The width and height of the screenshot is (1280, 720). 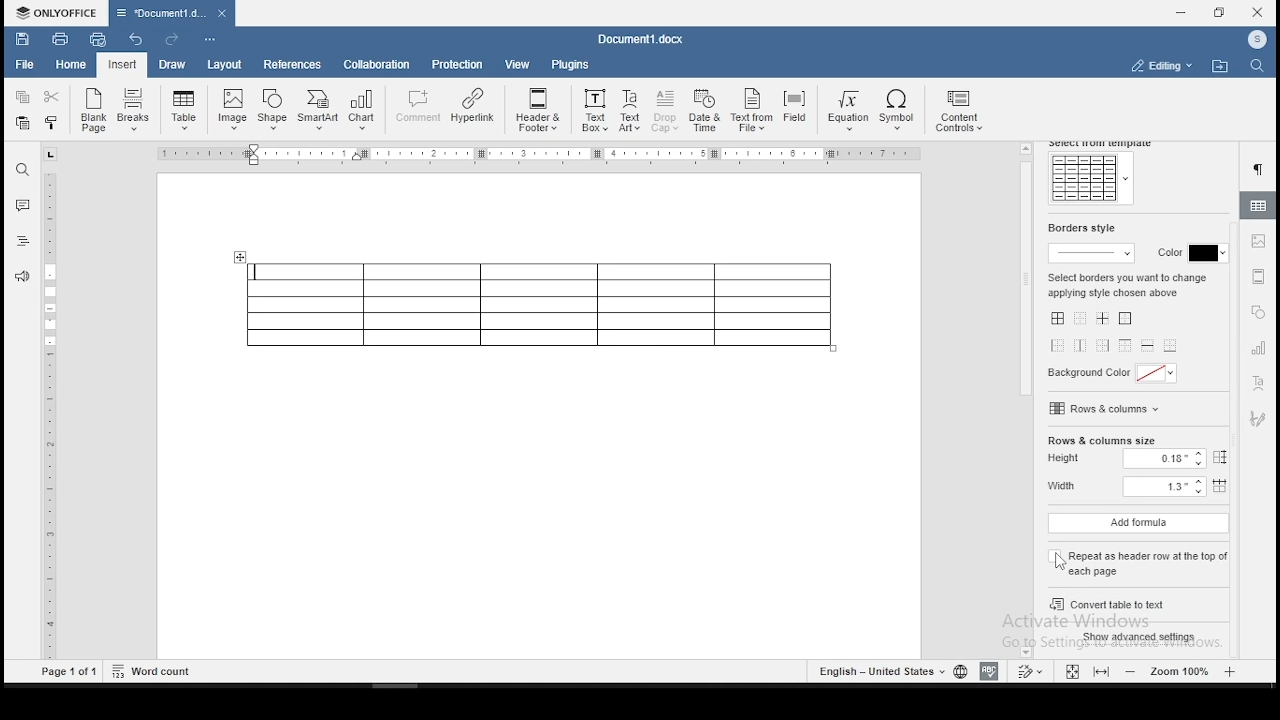 I want to click on height, so click(x=1142, y=460).